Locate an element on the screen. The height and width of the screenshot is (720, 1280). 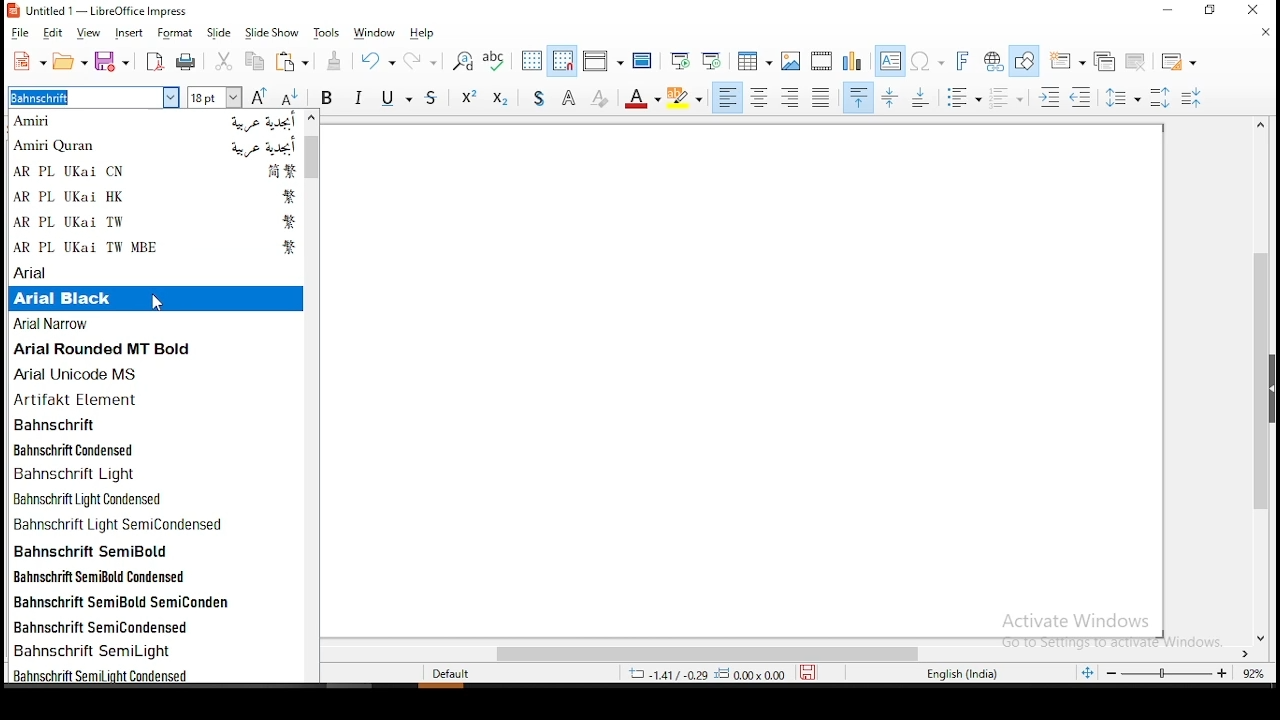
artifakt element is located at coordinates (155, 399).